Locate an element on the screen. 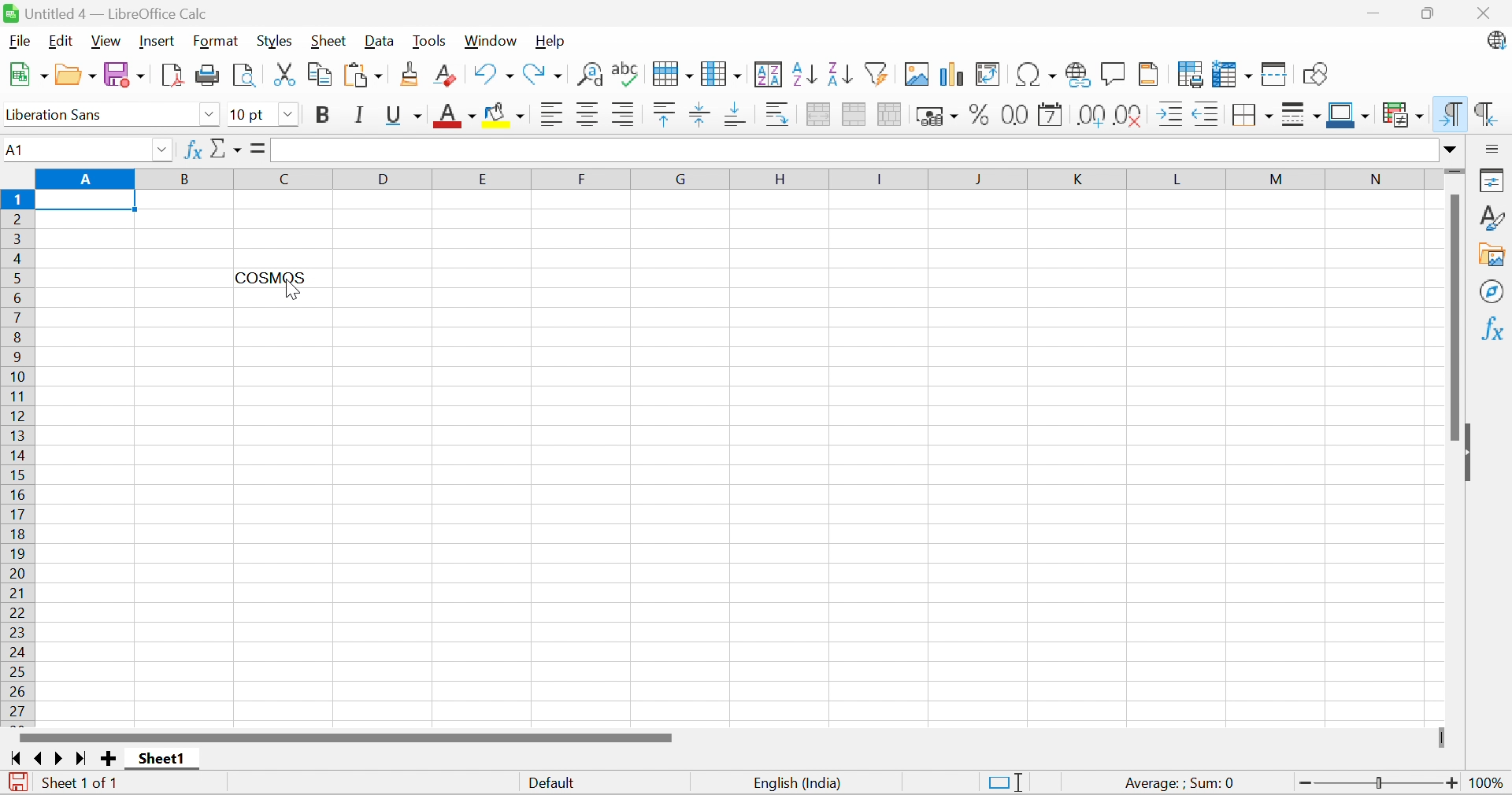 The image size is (1512, 795). View is located at coordinates (107, 41).